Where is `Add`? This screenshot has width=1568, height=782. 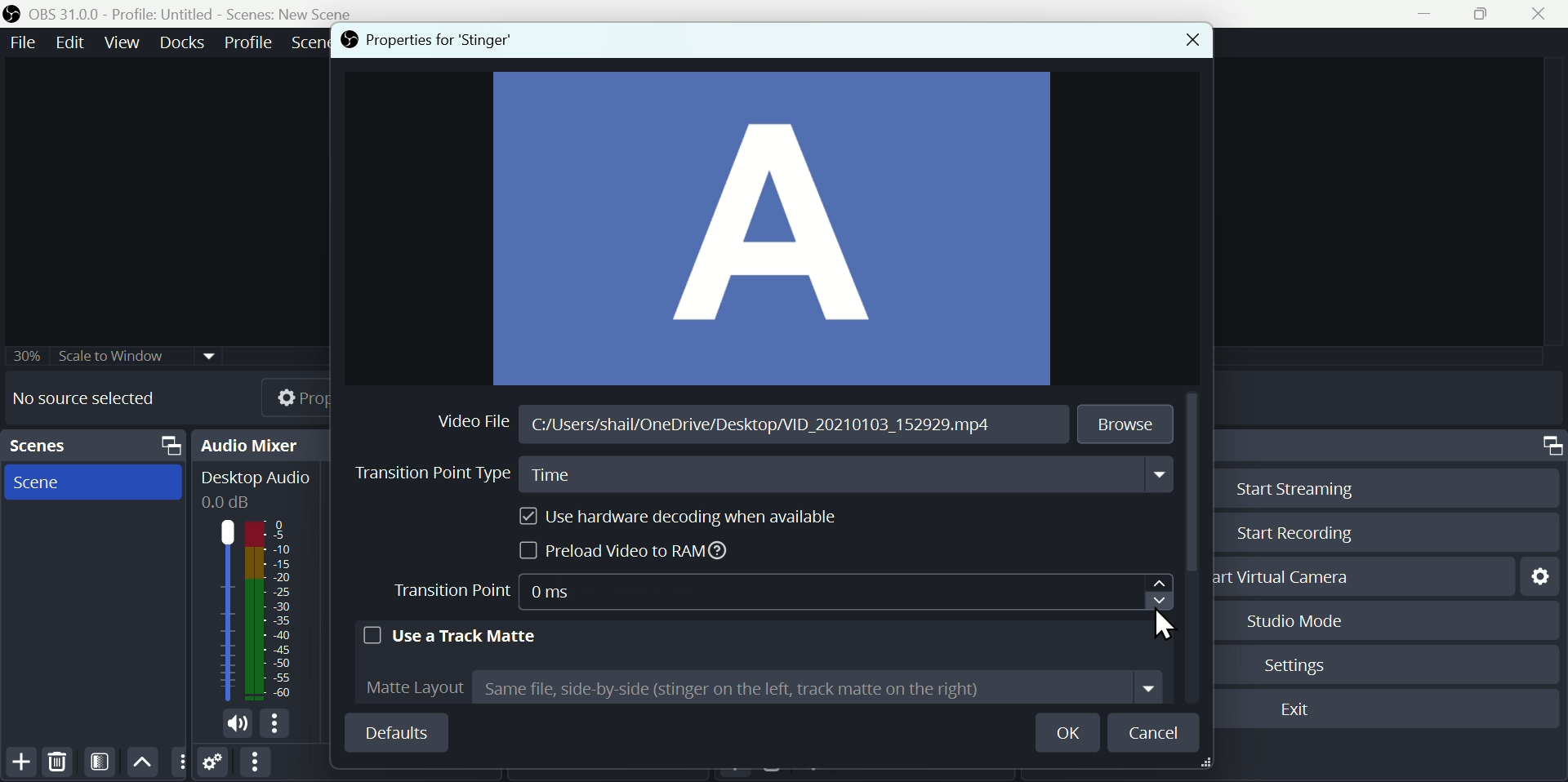 Add is located at coordinates (21, 762).